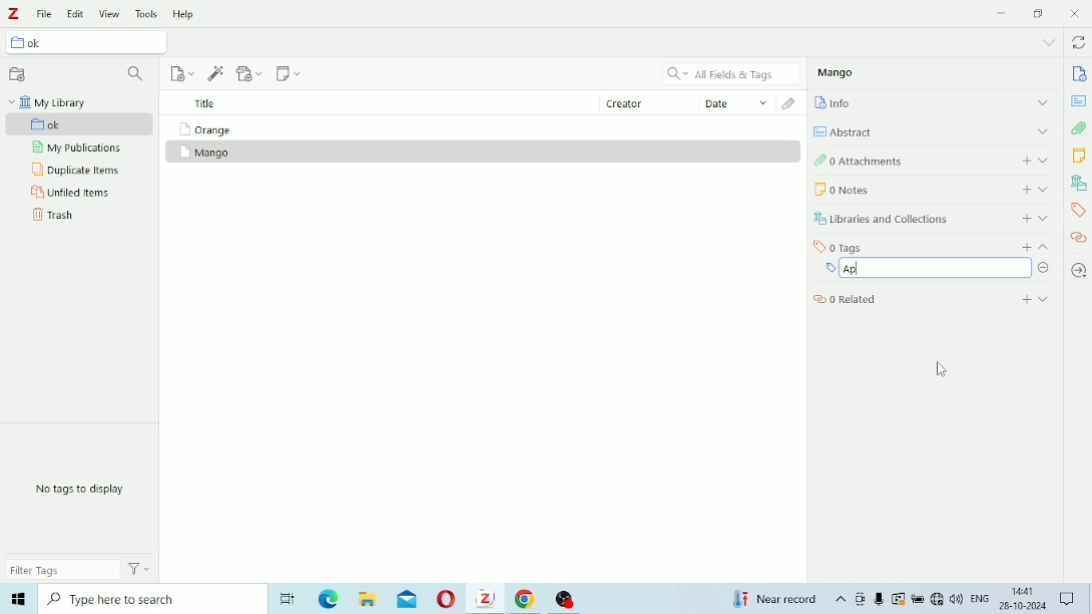 The height and width of the screenshot is (614, 1092). I want to click on Attachments, so click(790, 104).